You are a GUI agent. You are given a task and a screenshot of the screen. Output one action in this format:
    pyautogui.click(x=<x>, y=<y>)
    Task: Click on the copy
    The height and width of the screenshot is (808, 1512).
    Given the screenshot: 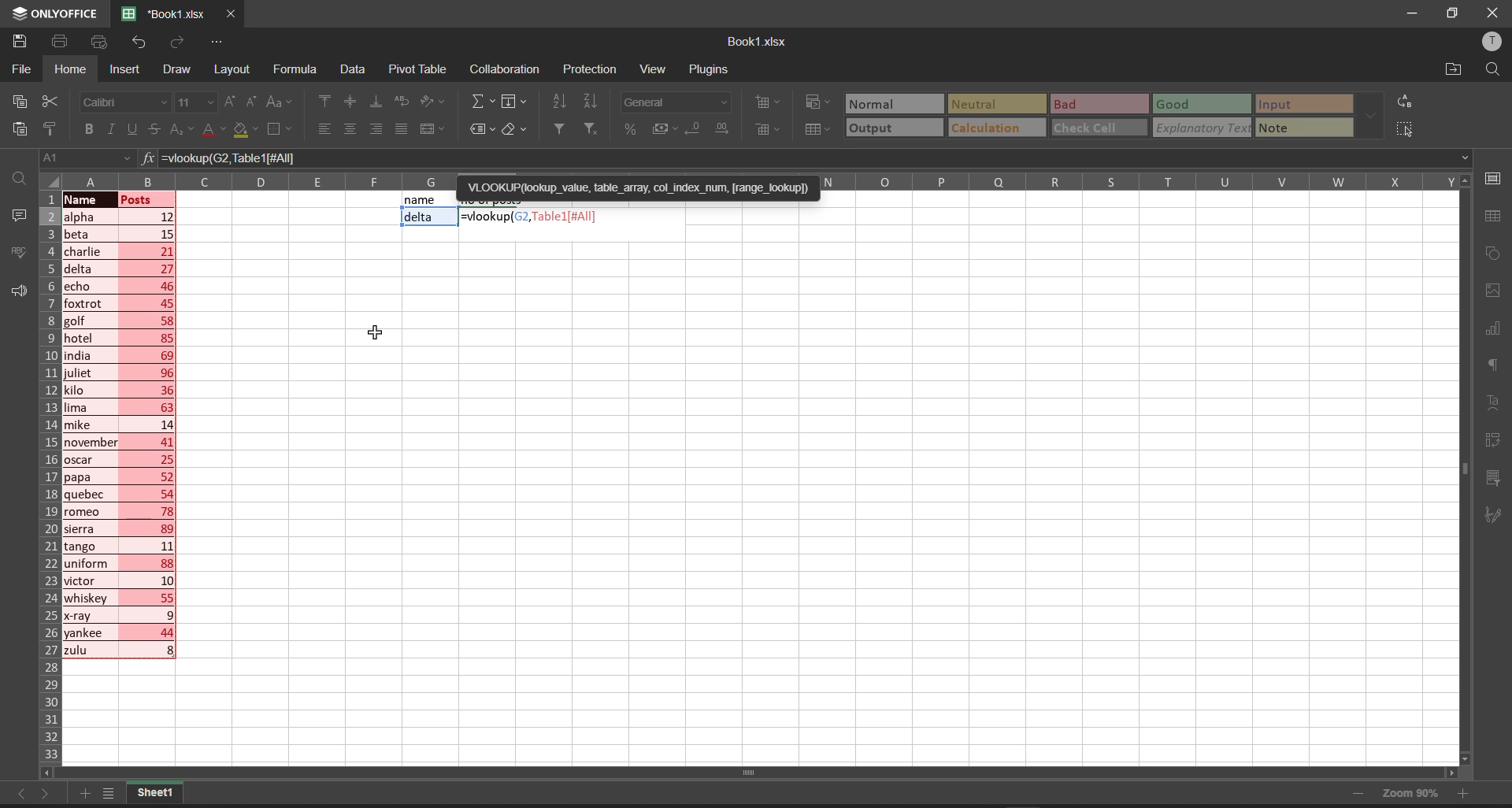 What is the action you would take?
    pyautogui.click(x=16, y=101)
    